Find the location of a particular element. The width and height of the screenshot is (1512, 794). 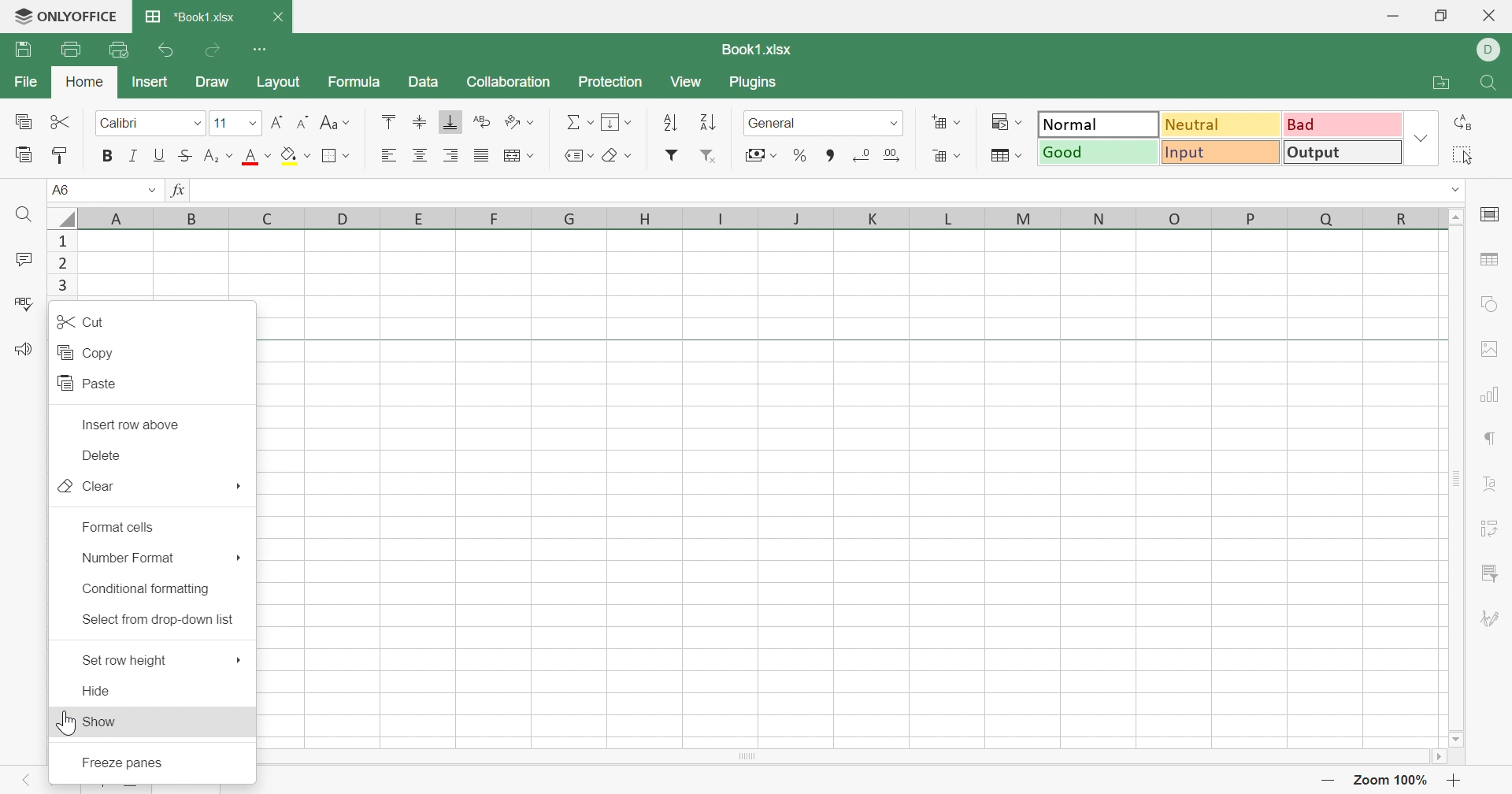

Formula is located at coordinates (355, 79).